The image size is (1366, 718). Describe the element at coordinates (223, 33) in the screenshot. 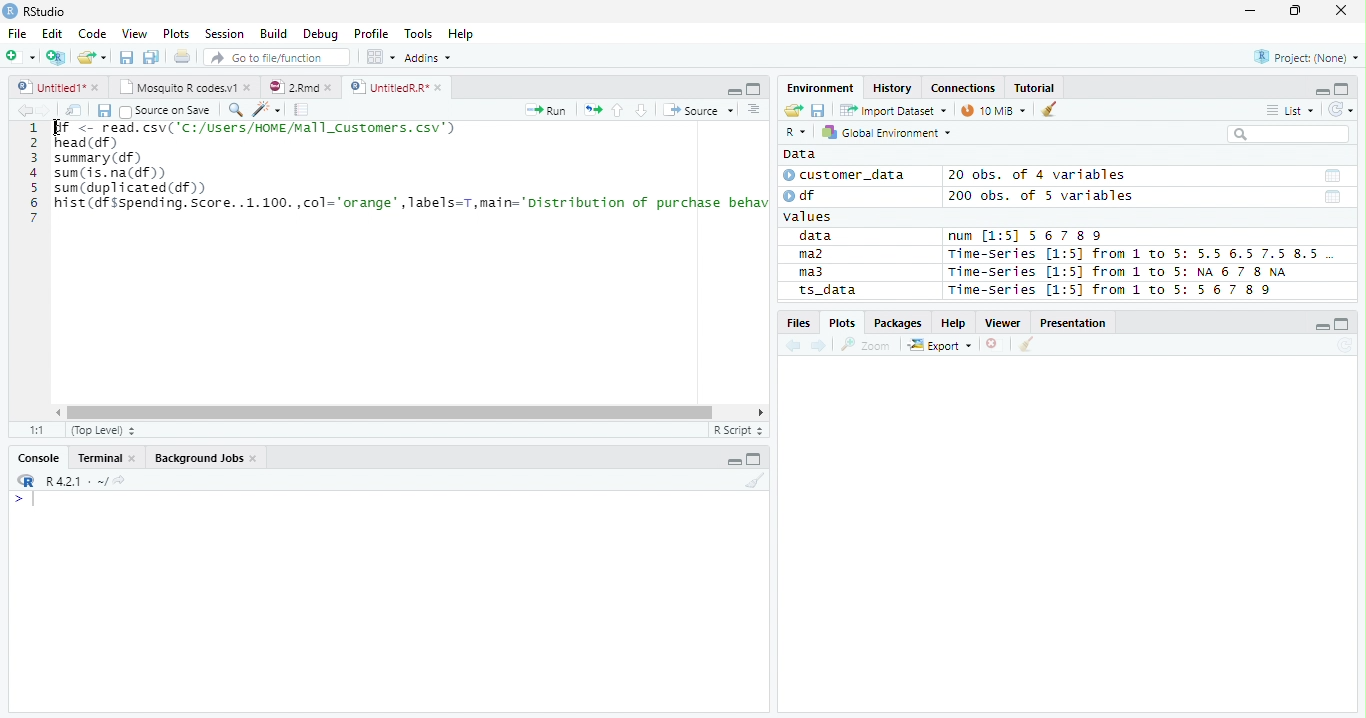

I see `Session` at that location.